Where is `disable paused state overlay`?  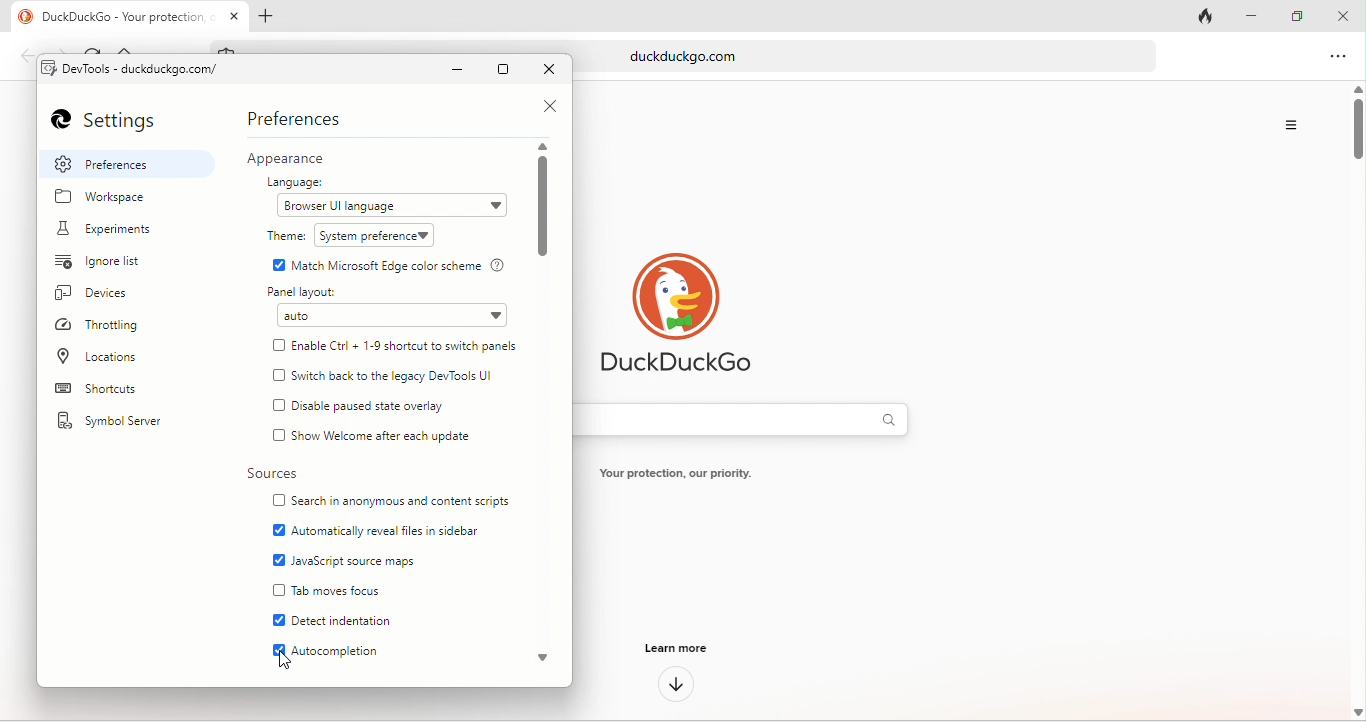 disable paused state overlay is located at coordinates (389, 406).